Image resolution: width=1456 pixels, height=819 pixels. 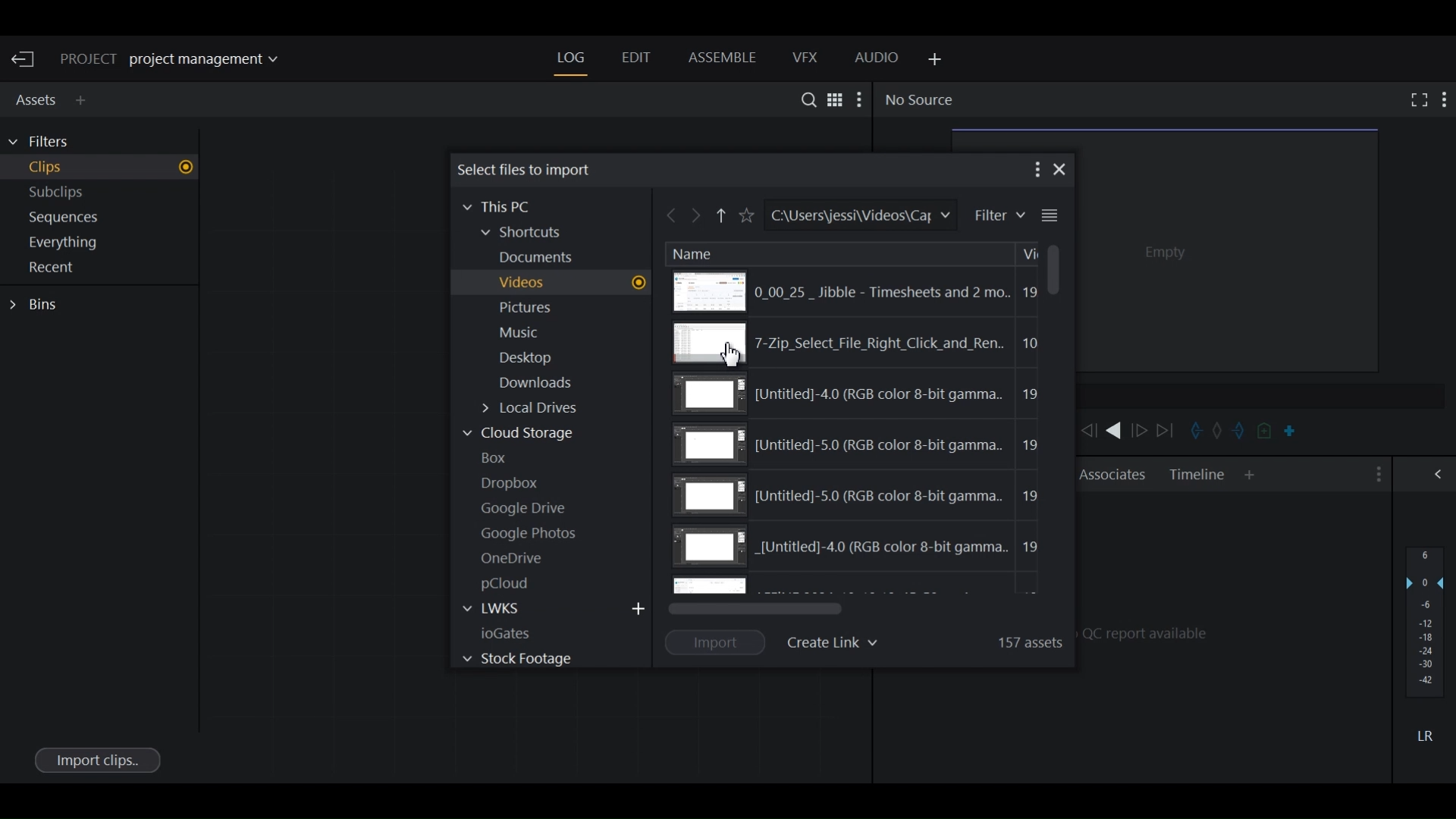 What do you see at coordinates (859, 549) in the screenshot?
I see `RGB color` at bounding box center [859, 549].